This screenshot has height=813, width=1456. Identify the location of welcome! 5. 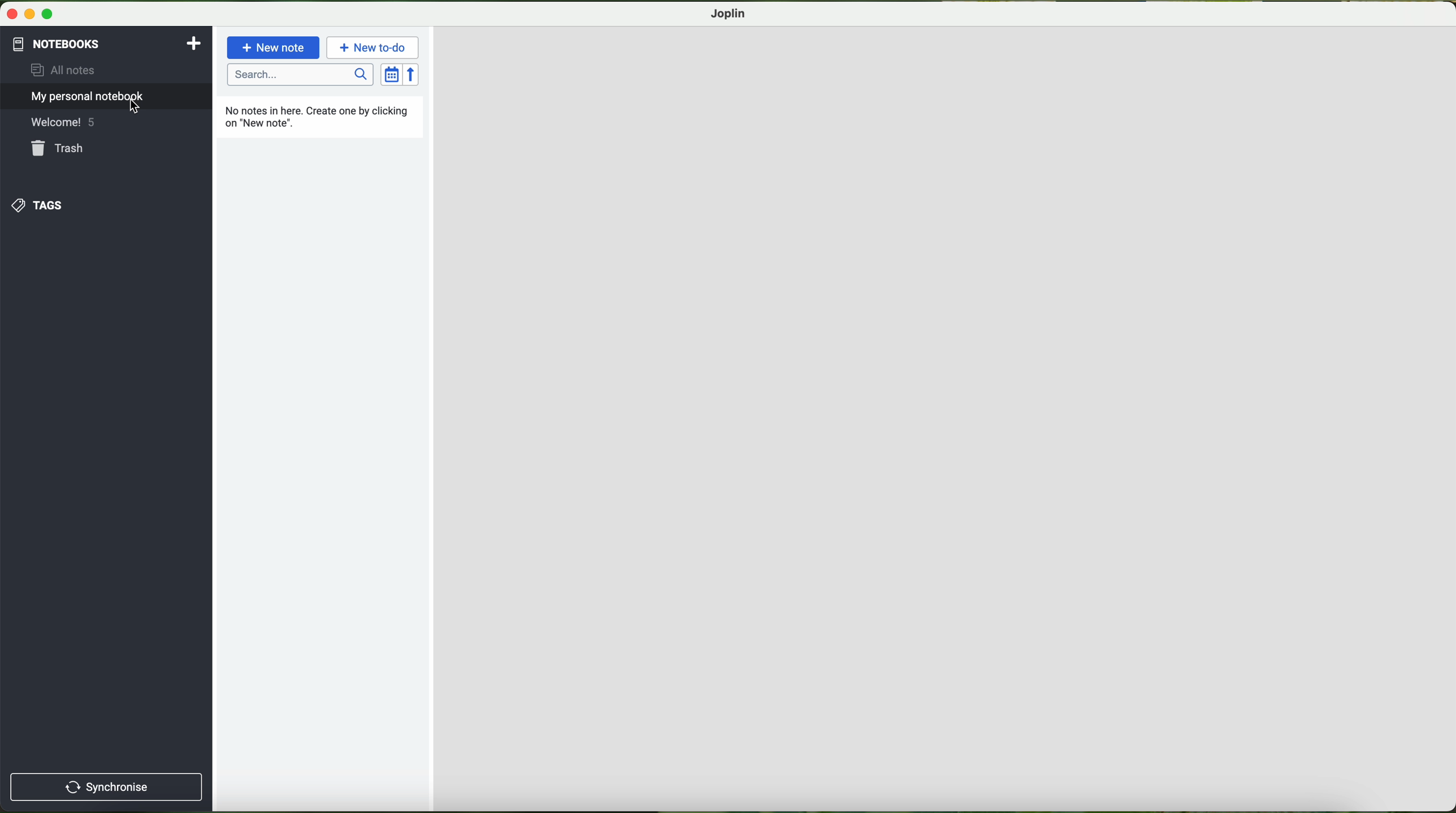
(62, 124).